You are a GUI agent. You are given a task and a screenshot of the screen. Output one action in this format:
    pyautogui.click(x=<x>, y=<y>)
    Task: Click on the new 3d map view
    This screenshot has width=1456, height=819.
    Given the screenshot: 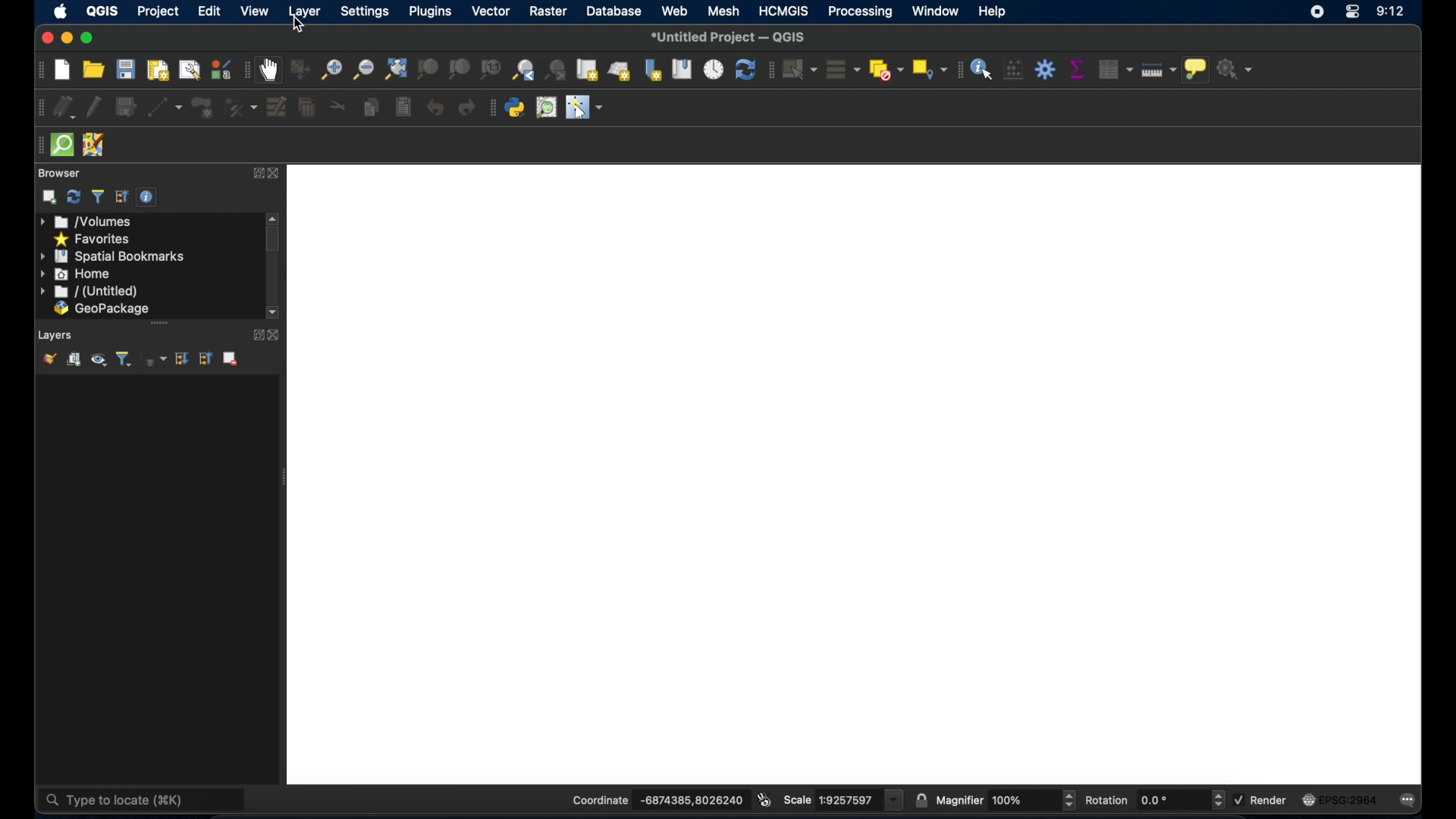 What is the action you would take?
    pyautogui.click(x=620, y=72)
    